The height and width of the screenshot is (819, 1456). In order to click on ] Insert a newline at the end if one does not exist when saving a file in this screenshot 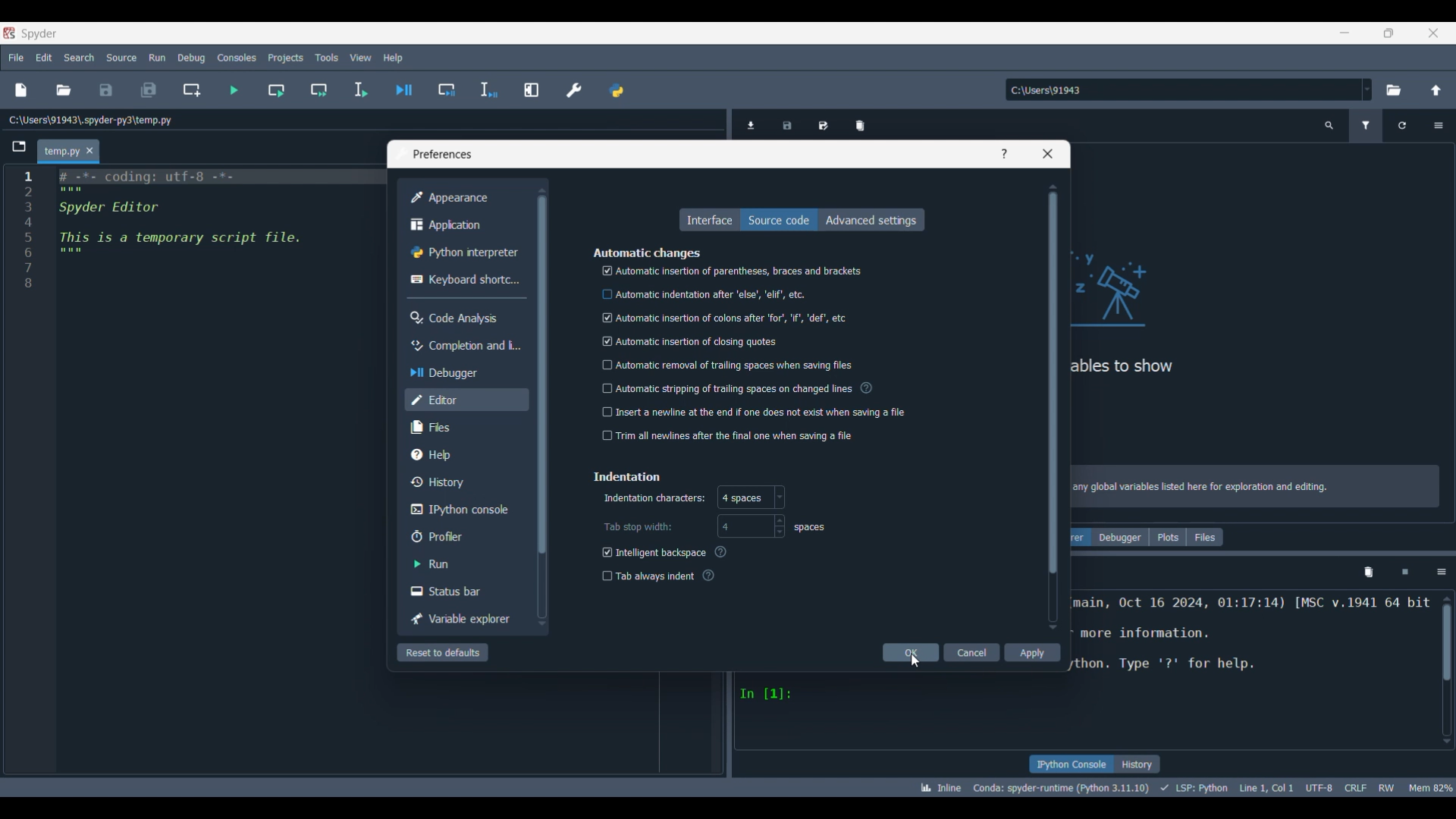, I will do `click(754, 411)`.